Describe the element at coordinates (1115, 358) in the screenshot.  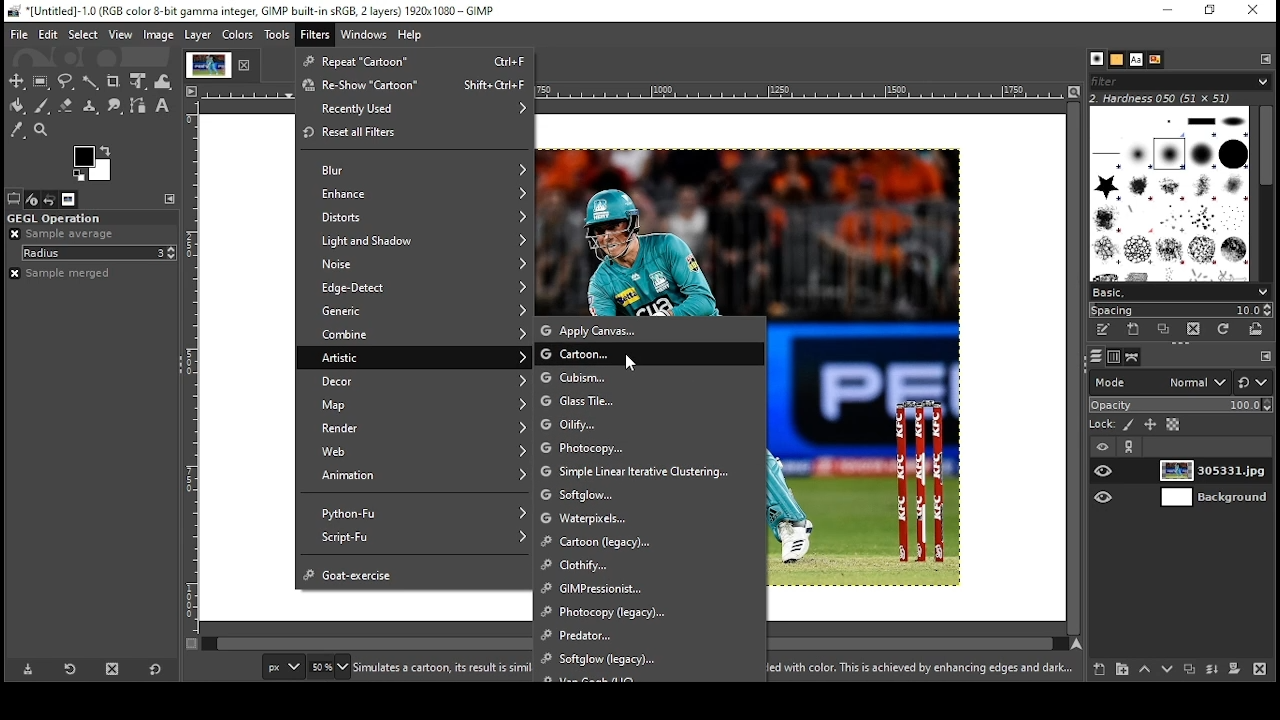
I see `channels` at that location.